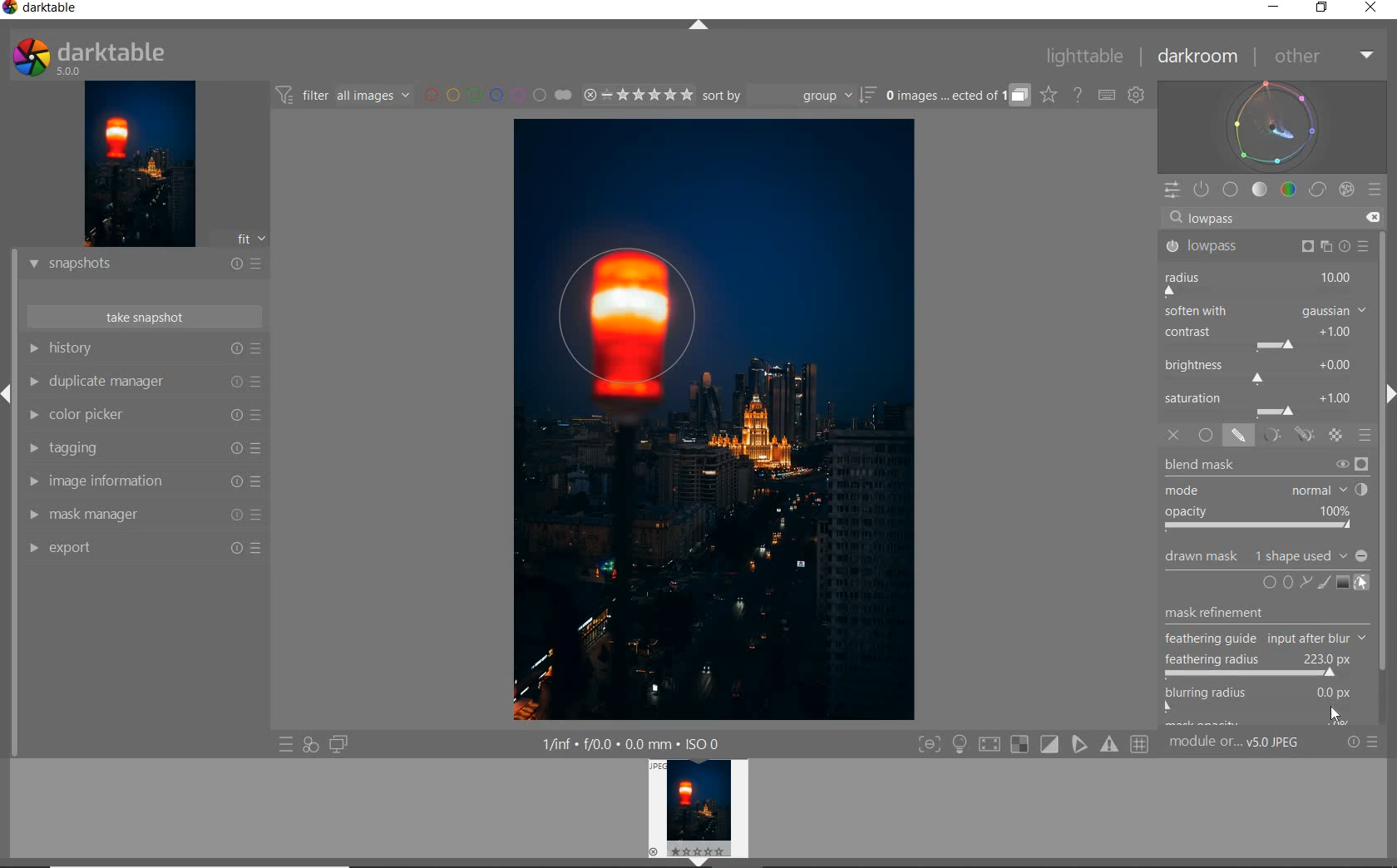  I want to click on Mask refinement, so click(1216, 609).